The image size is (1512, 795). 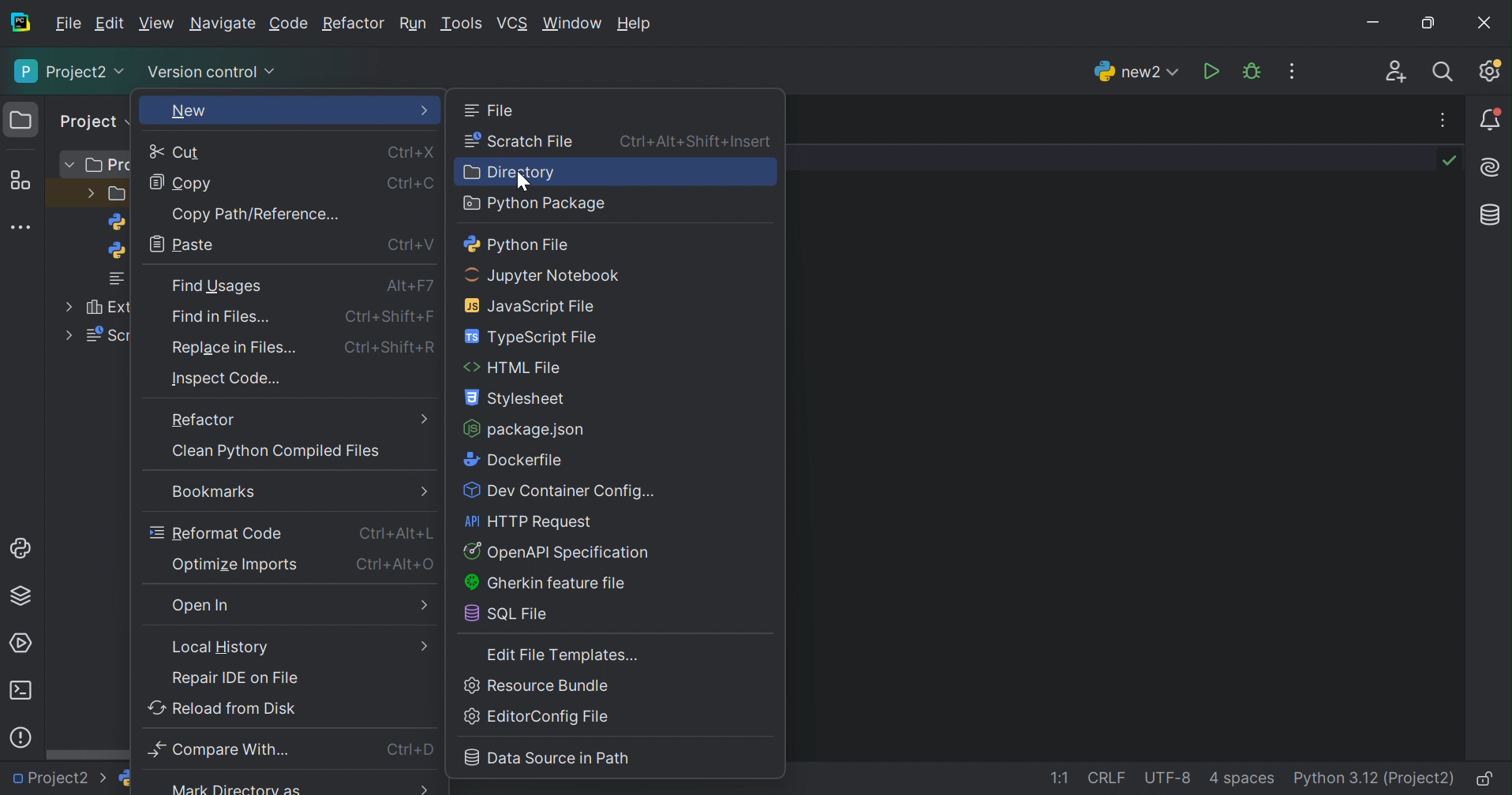 What do you see at coordinates (69, 334) in the screenshot?
I see `More` at bounding box center [69, 334].